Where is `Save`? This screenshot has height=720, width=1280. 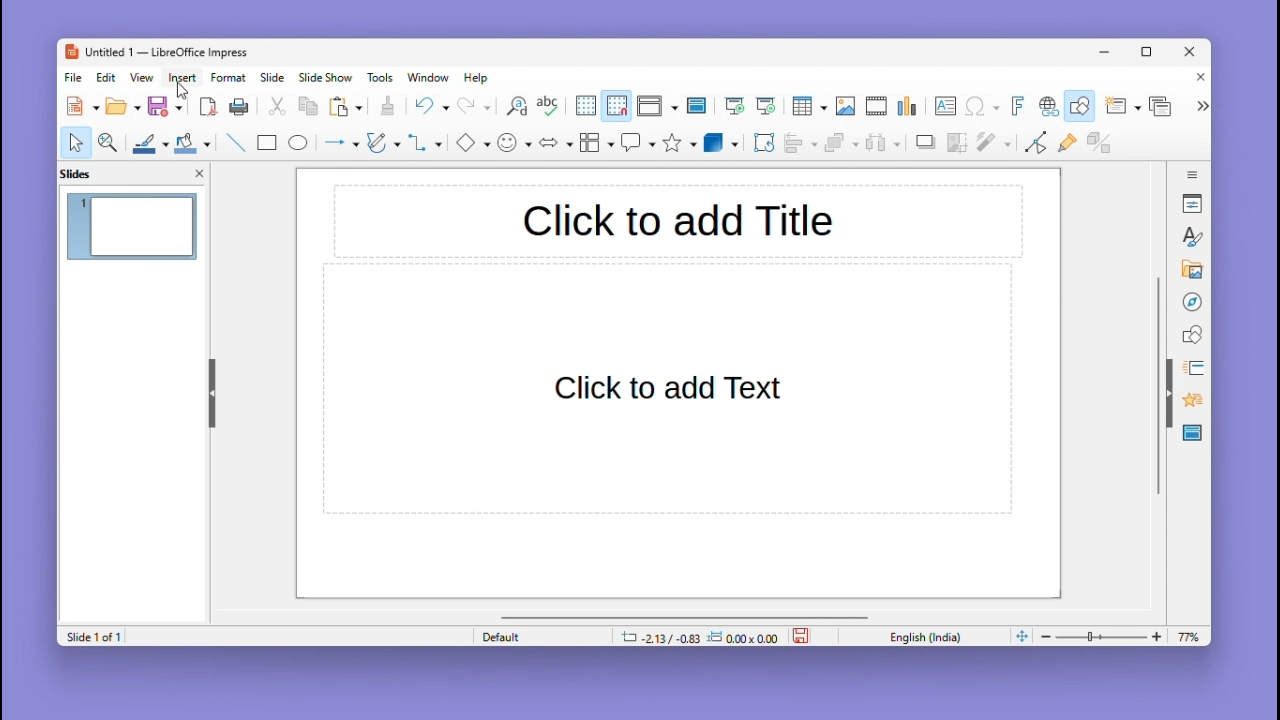
Save is located at coordinates (166, 106).